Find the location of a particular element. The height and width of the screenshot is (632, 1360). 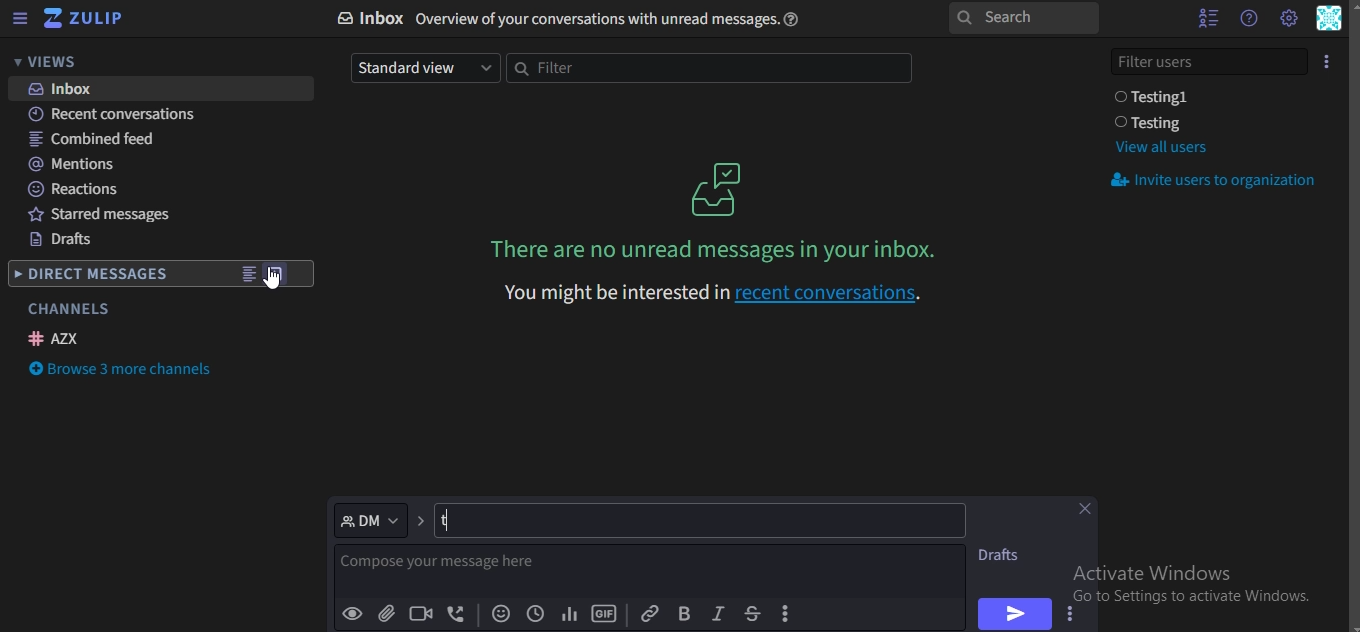

view all users is located at coordinates (1160, 147).